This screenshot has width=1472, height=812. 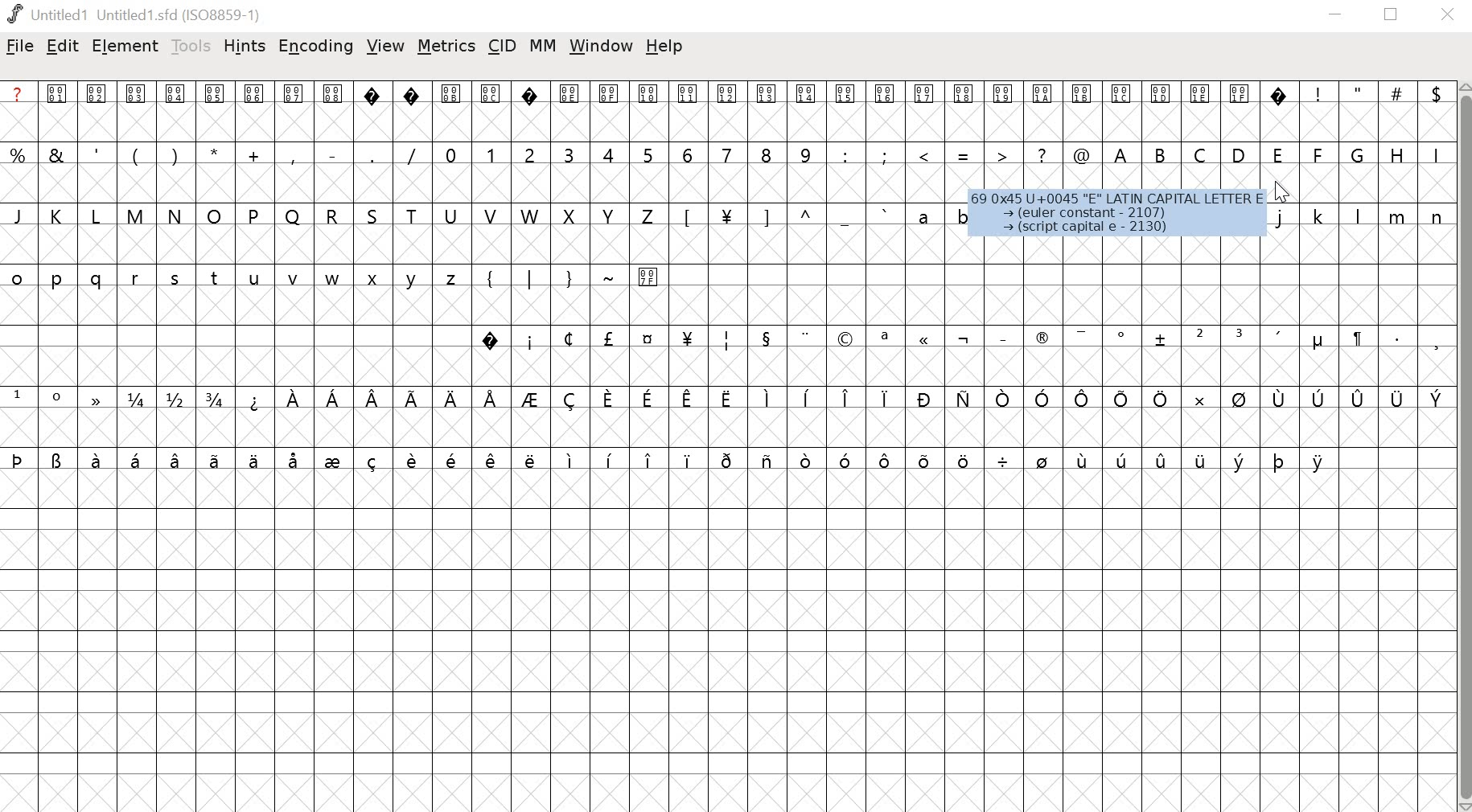 I want to click on close, so click(x=1448, y=15).